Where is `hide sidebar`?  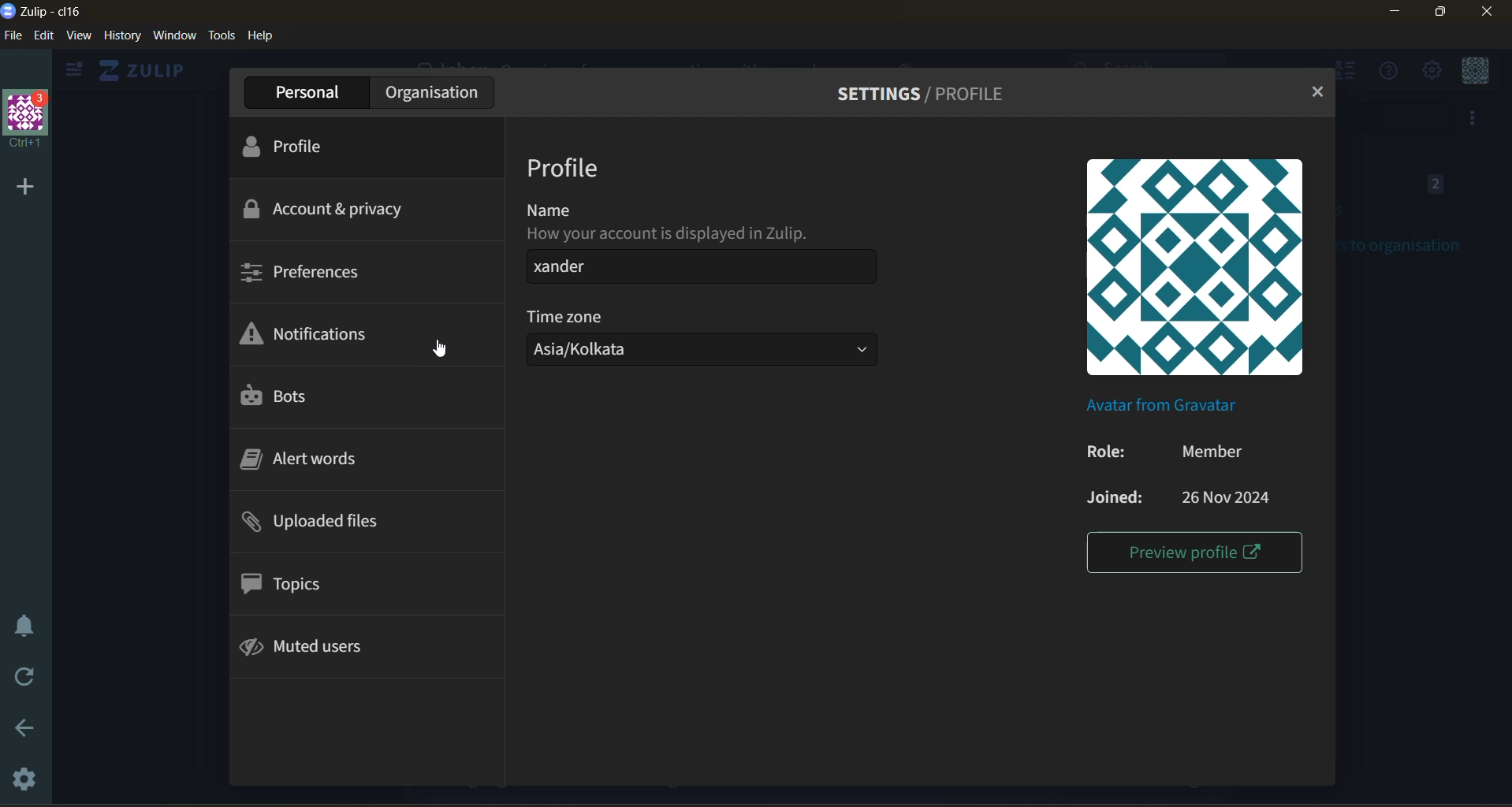 hide sidebar is located at coordinates (70, 73).